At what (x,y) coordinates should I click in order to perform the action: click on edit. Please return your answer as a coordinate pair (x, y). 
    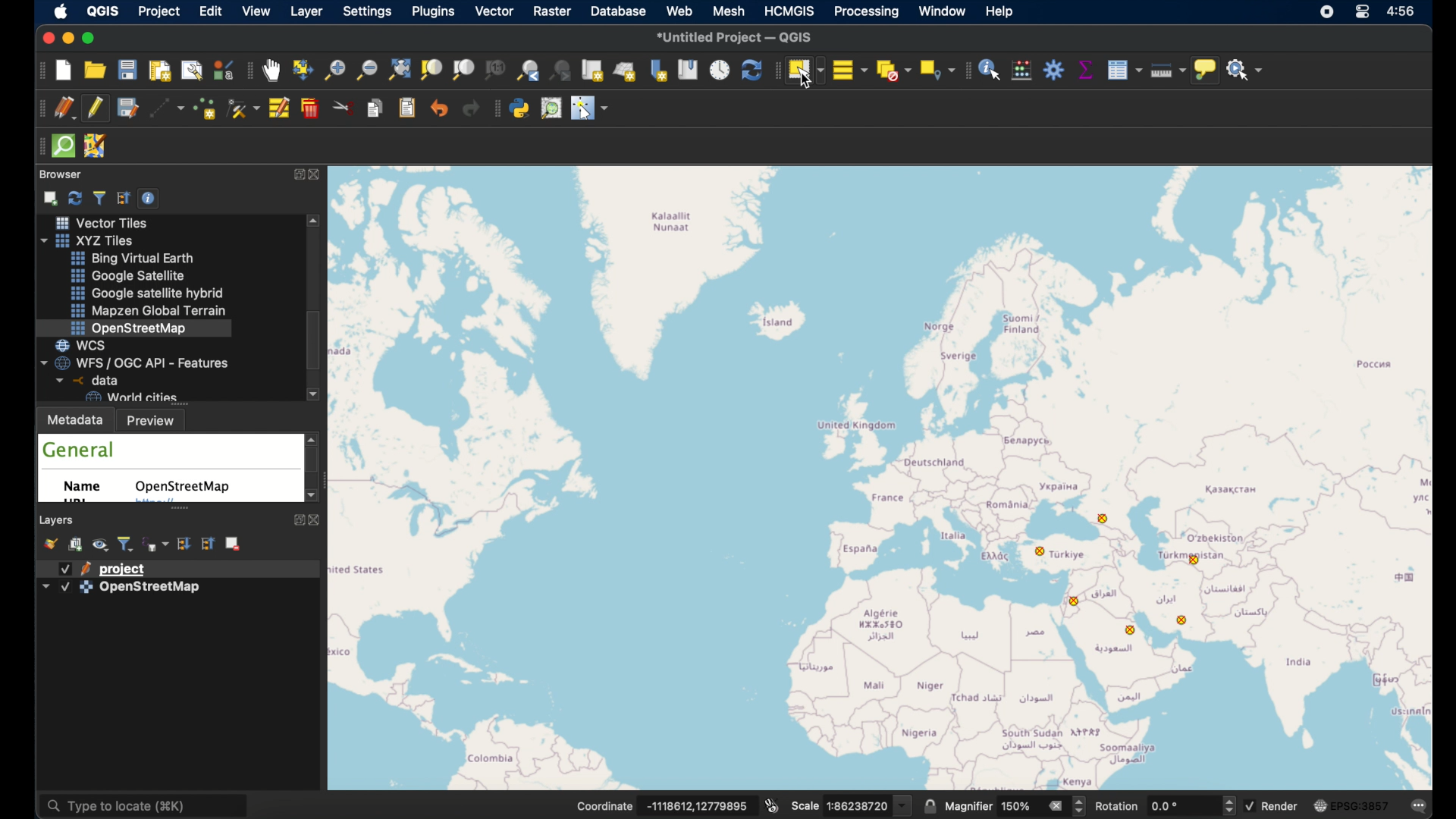
    Looking at the image, I should click on (212, 11).